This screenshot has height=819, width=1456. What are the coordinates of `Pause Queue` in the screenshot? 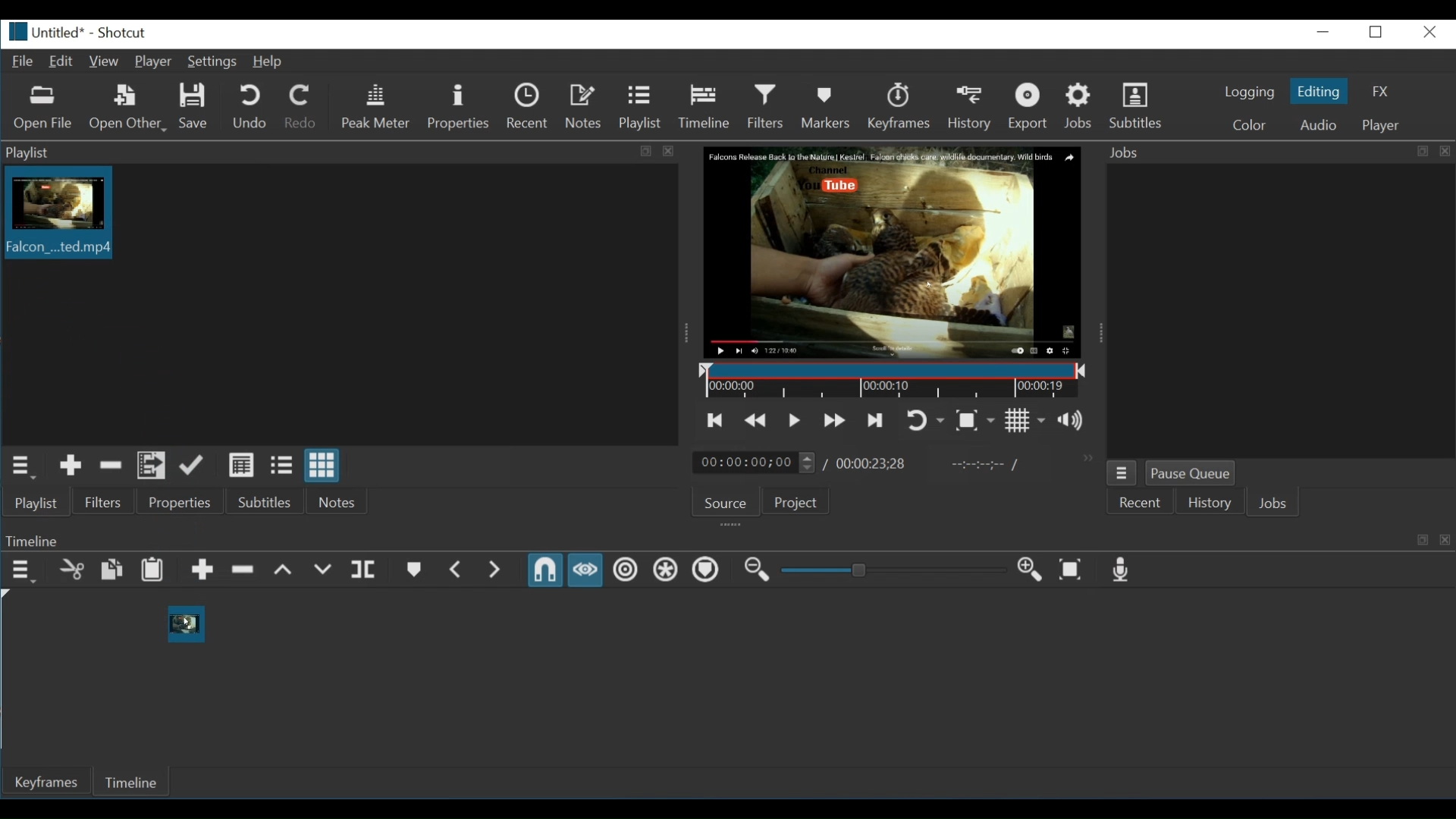 It's located at (1190, 474).